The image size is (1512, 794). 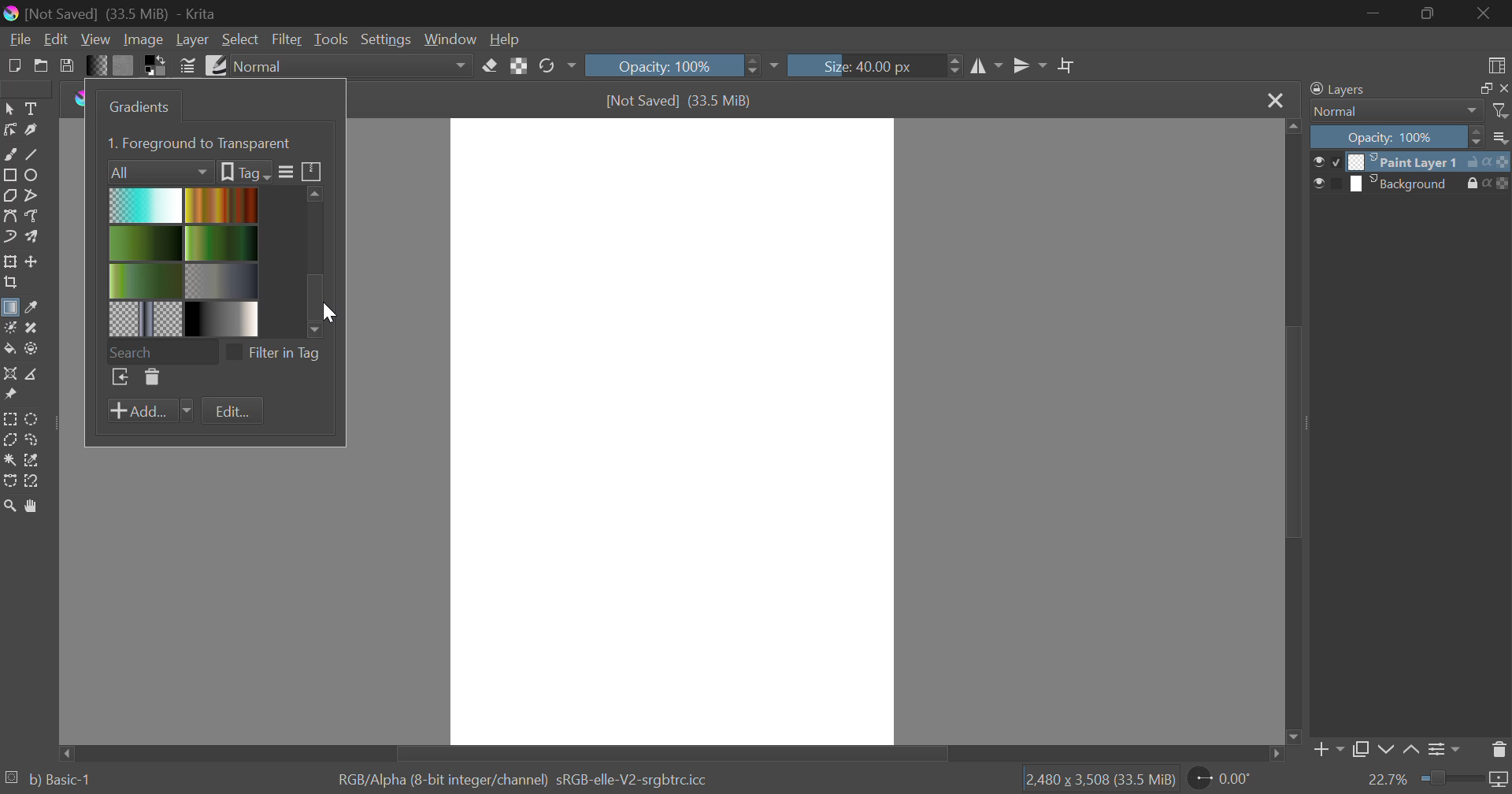 What do you see at coordinates (32, 153) in the screenshot?
I see `Line` at bounding box center [32, 153].